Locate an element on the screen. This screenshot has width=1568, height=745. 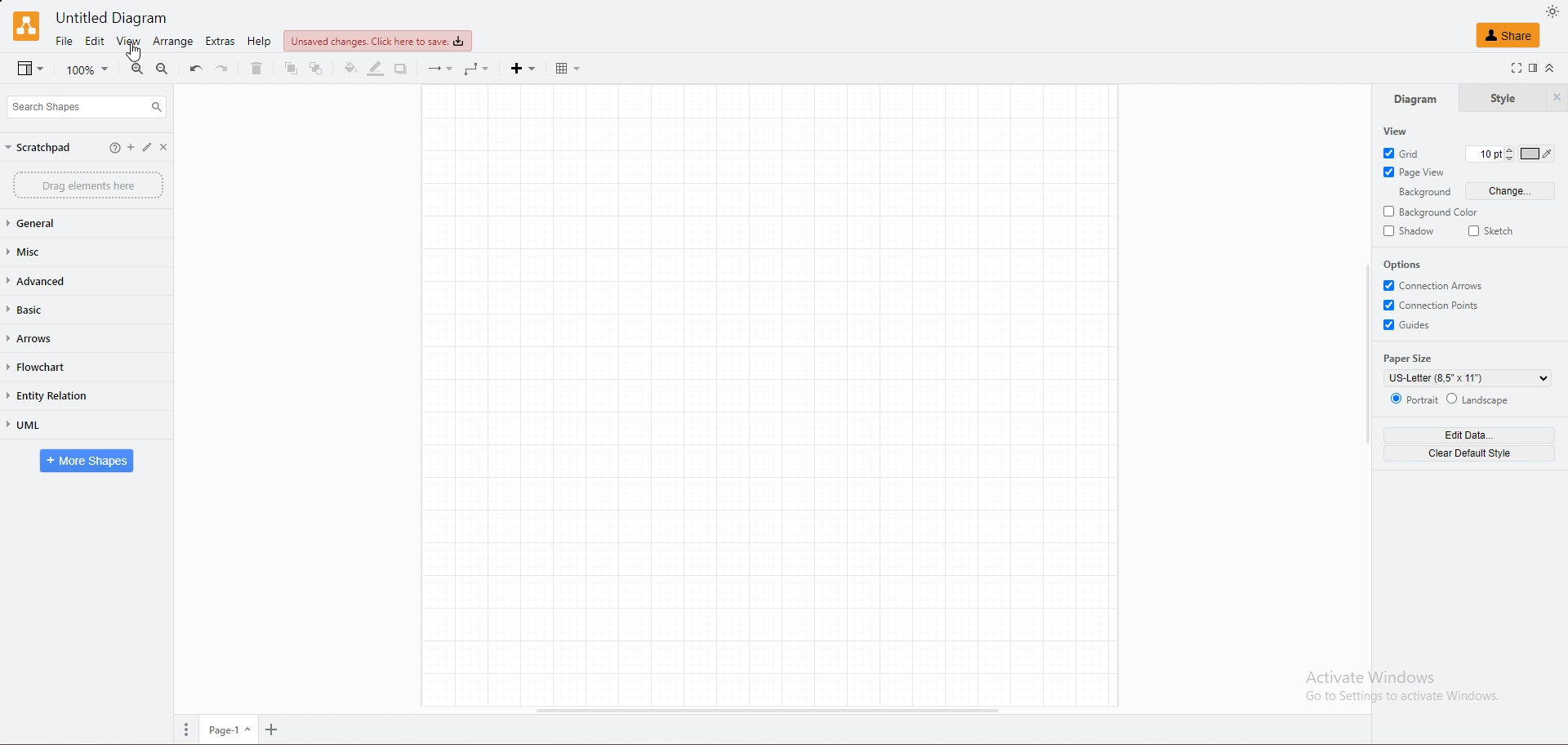
fill color is located at coordinates (348, 69).